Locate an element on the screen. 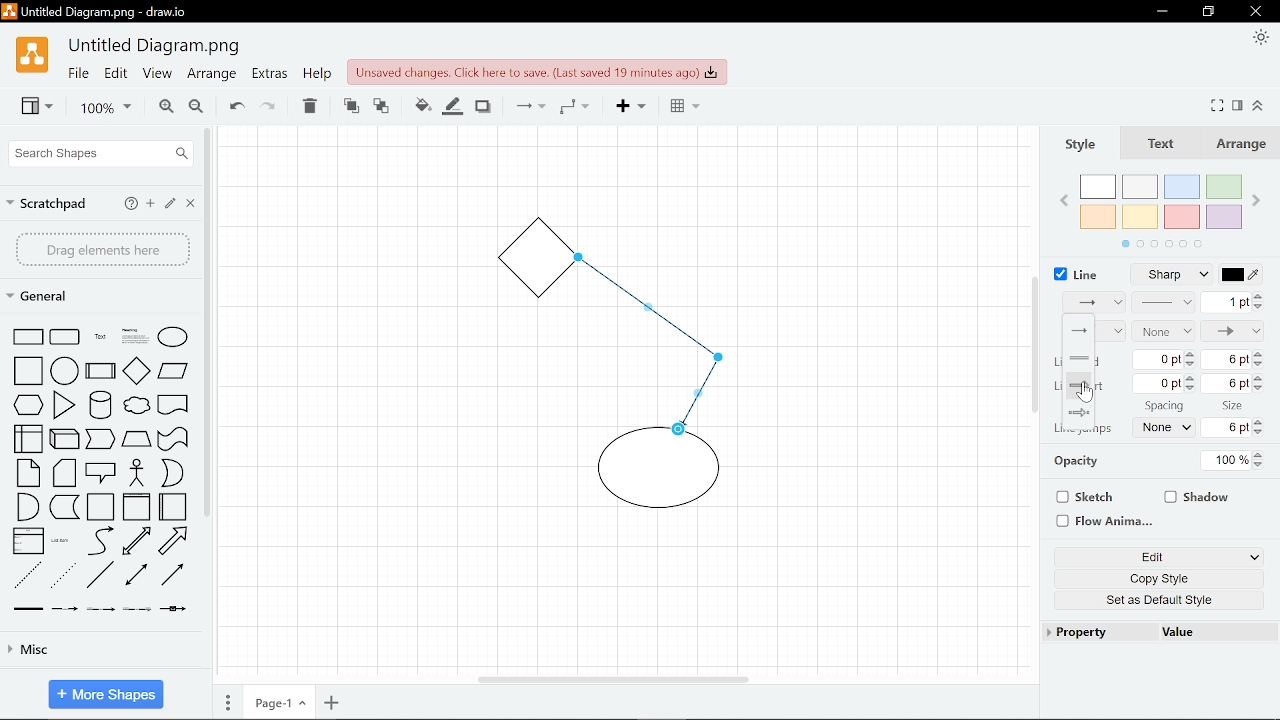 This screenshot has height=720, width=1280. shape is located at coordinates (102, 405).